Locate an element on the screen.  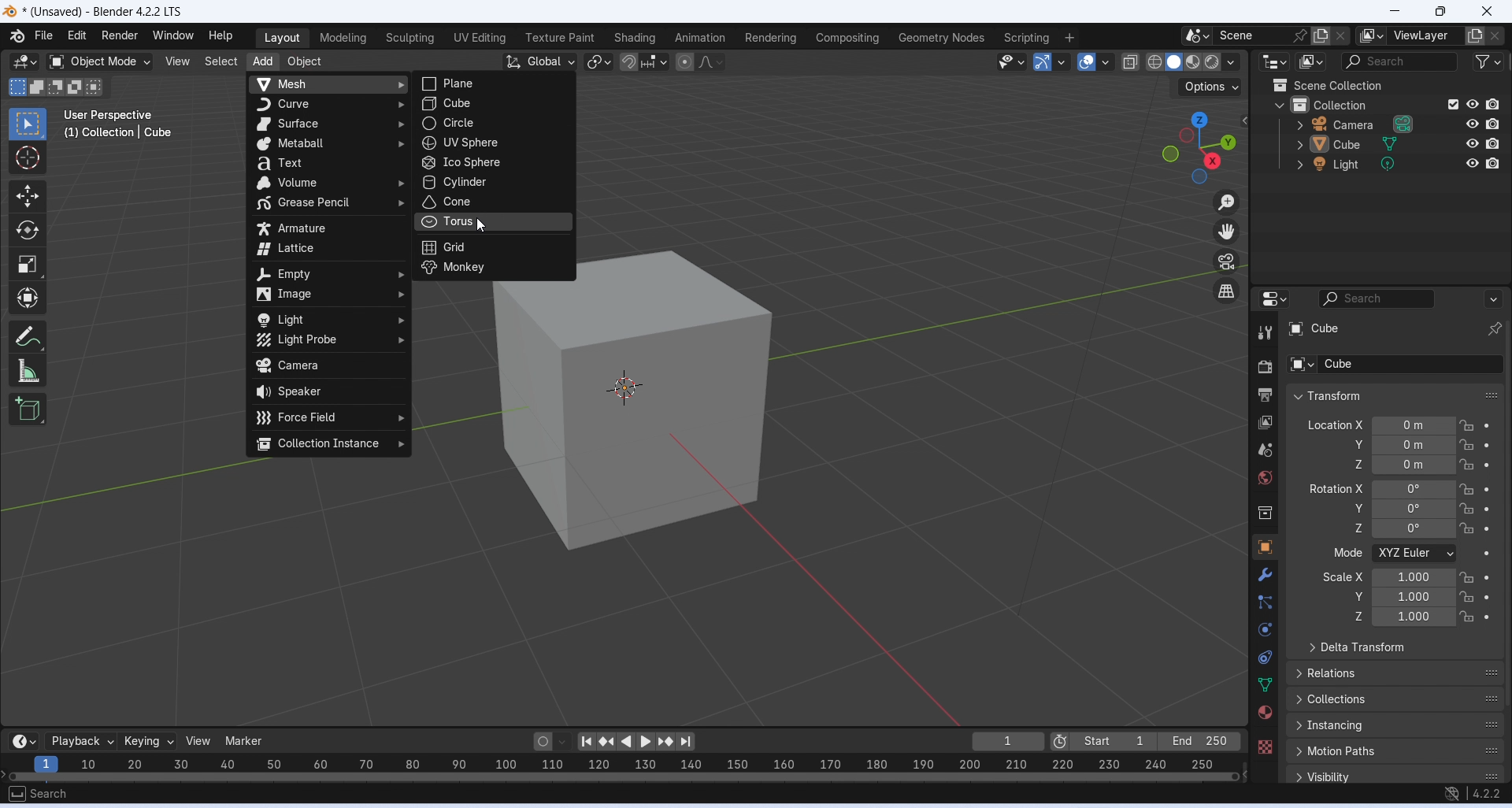
light is located at coordinates (329, 320).